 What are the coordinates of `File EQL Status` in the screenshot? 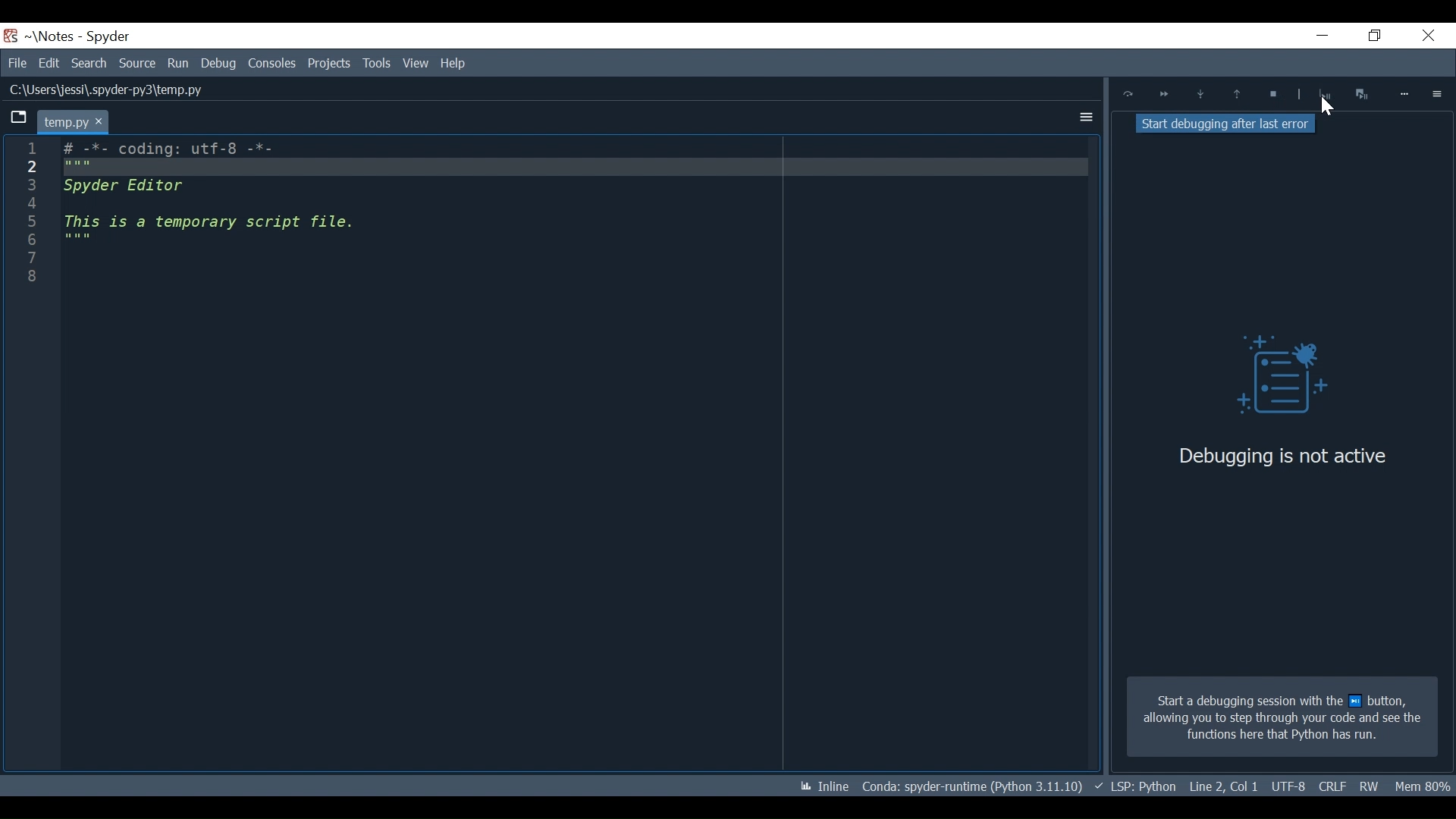 It's located at (1224, 786).